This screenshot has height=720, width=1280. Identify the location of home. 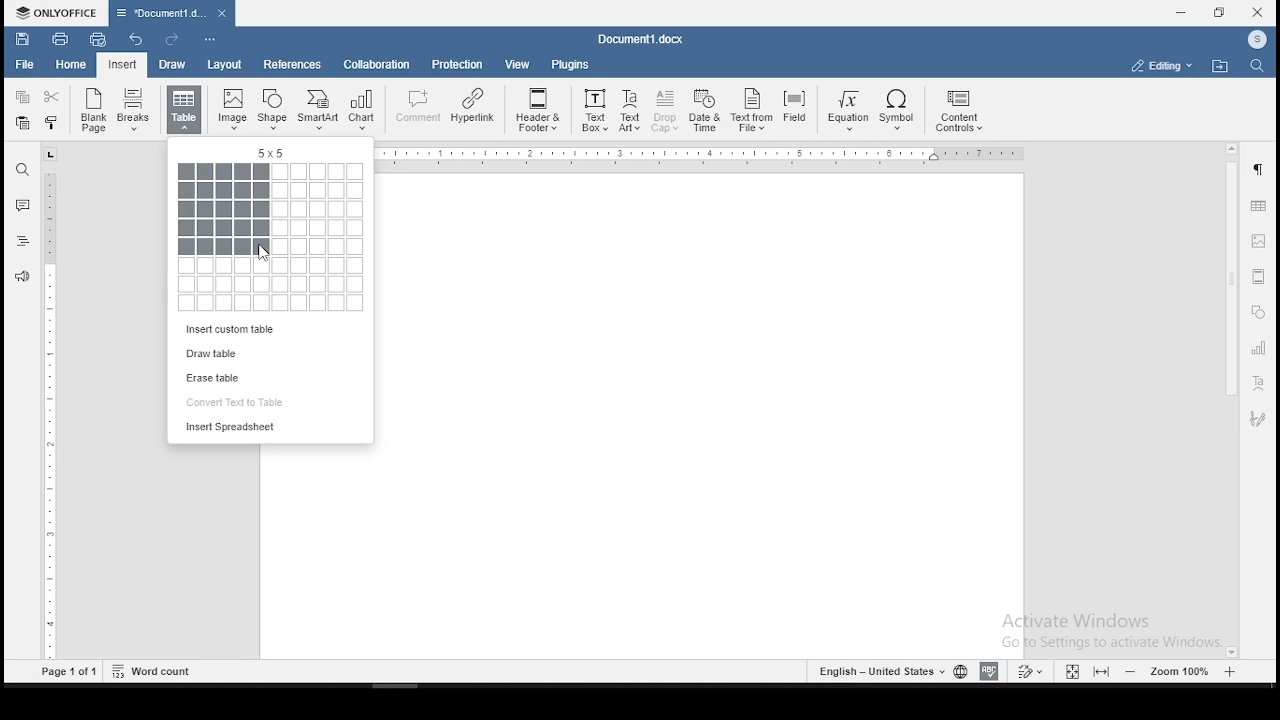
(71, 65).